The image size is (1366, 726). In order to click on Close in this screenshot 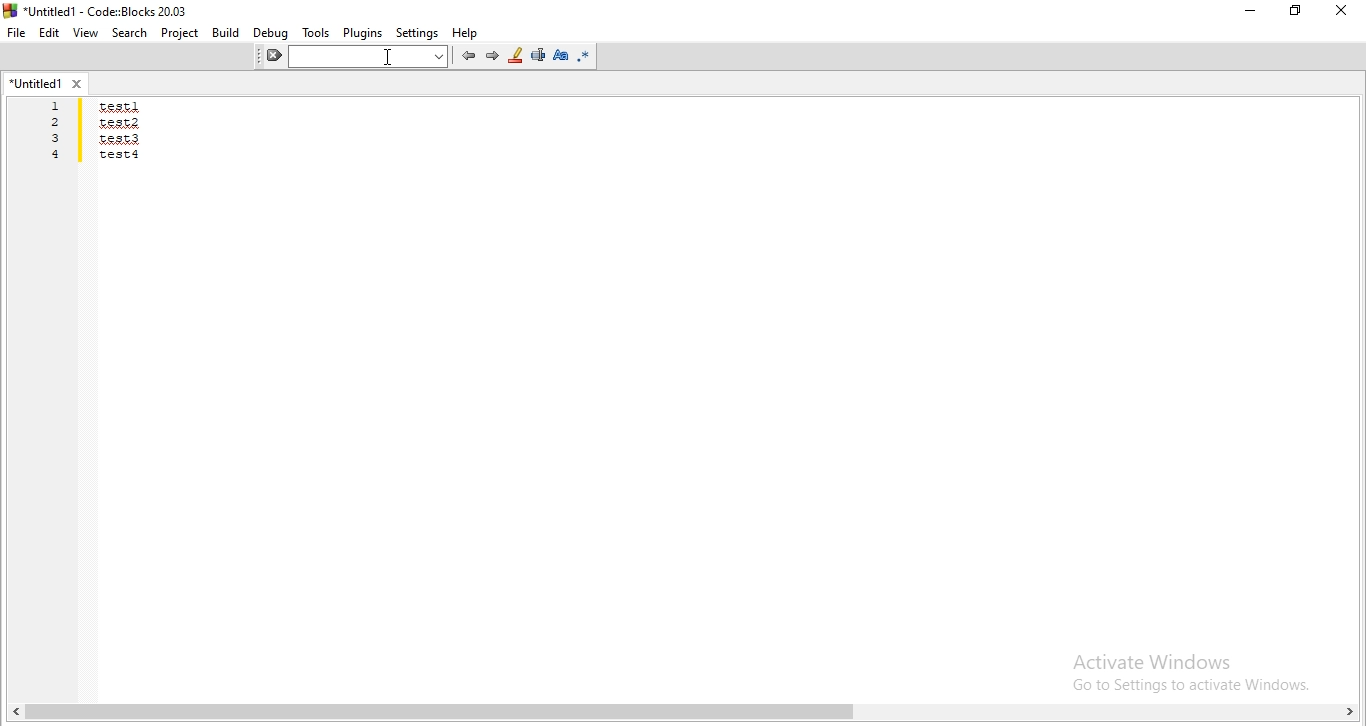, I will do `click(1343, 12)`.